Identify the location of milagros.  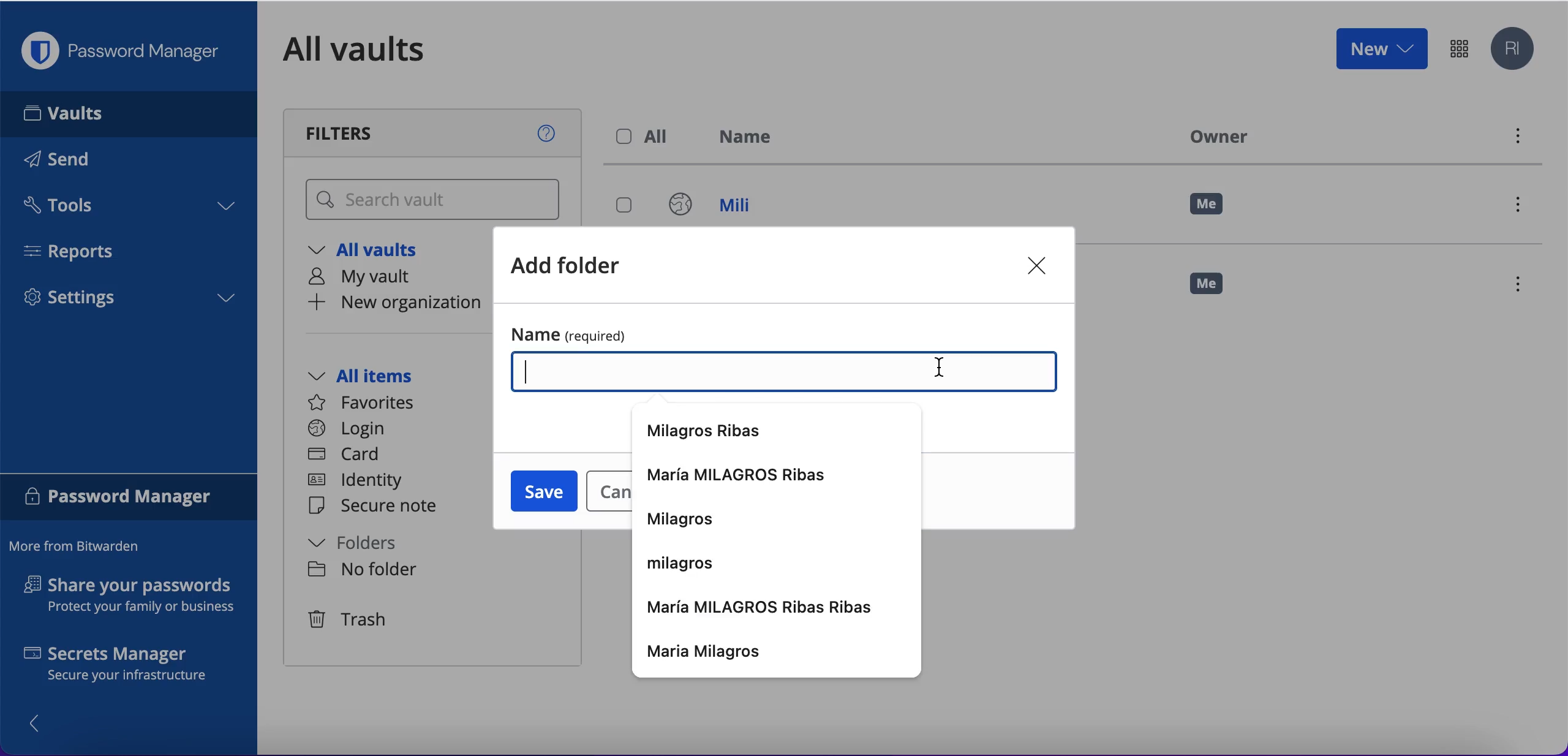
(684, 521).